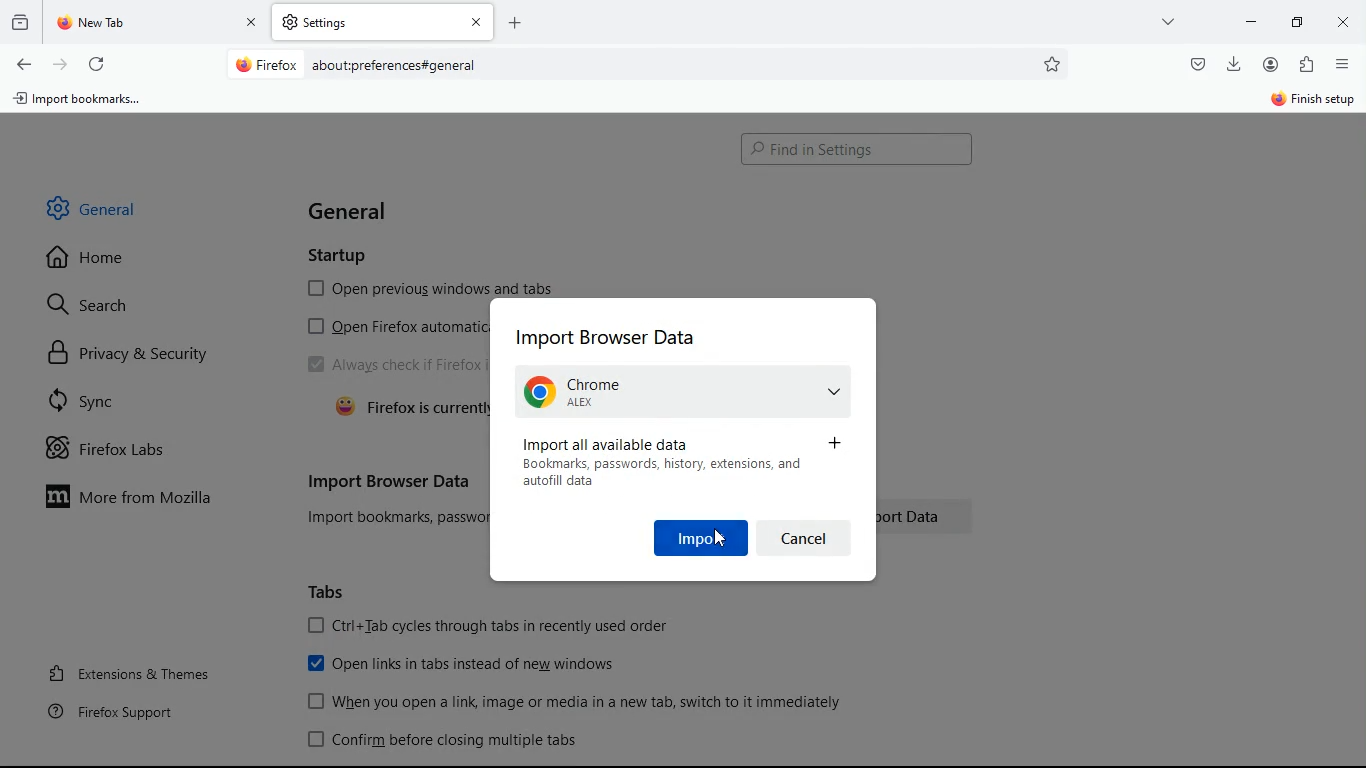  I want to click on more from mozilla, so click(143, 495).